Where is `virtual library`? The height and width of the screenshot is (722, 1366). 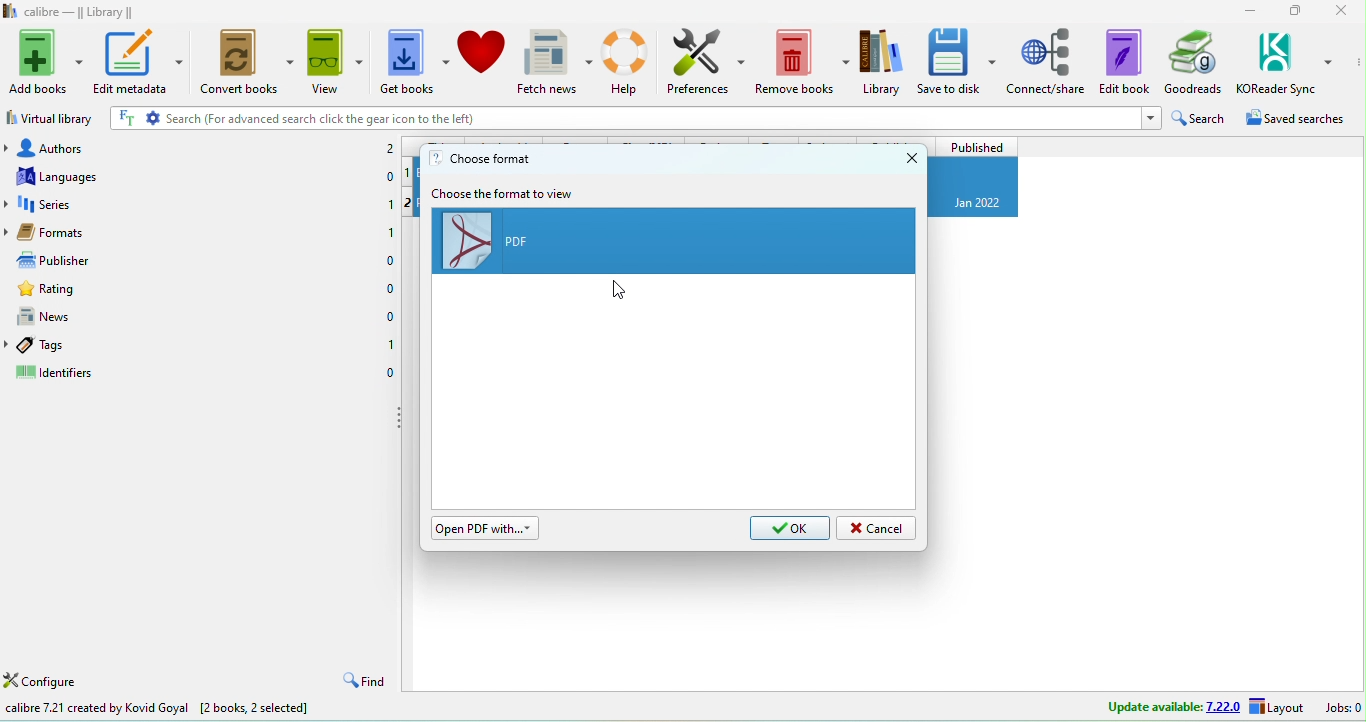
virtual library is located at coordinates (50, 117).